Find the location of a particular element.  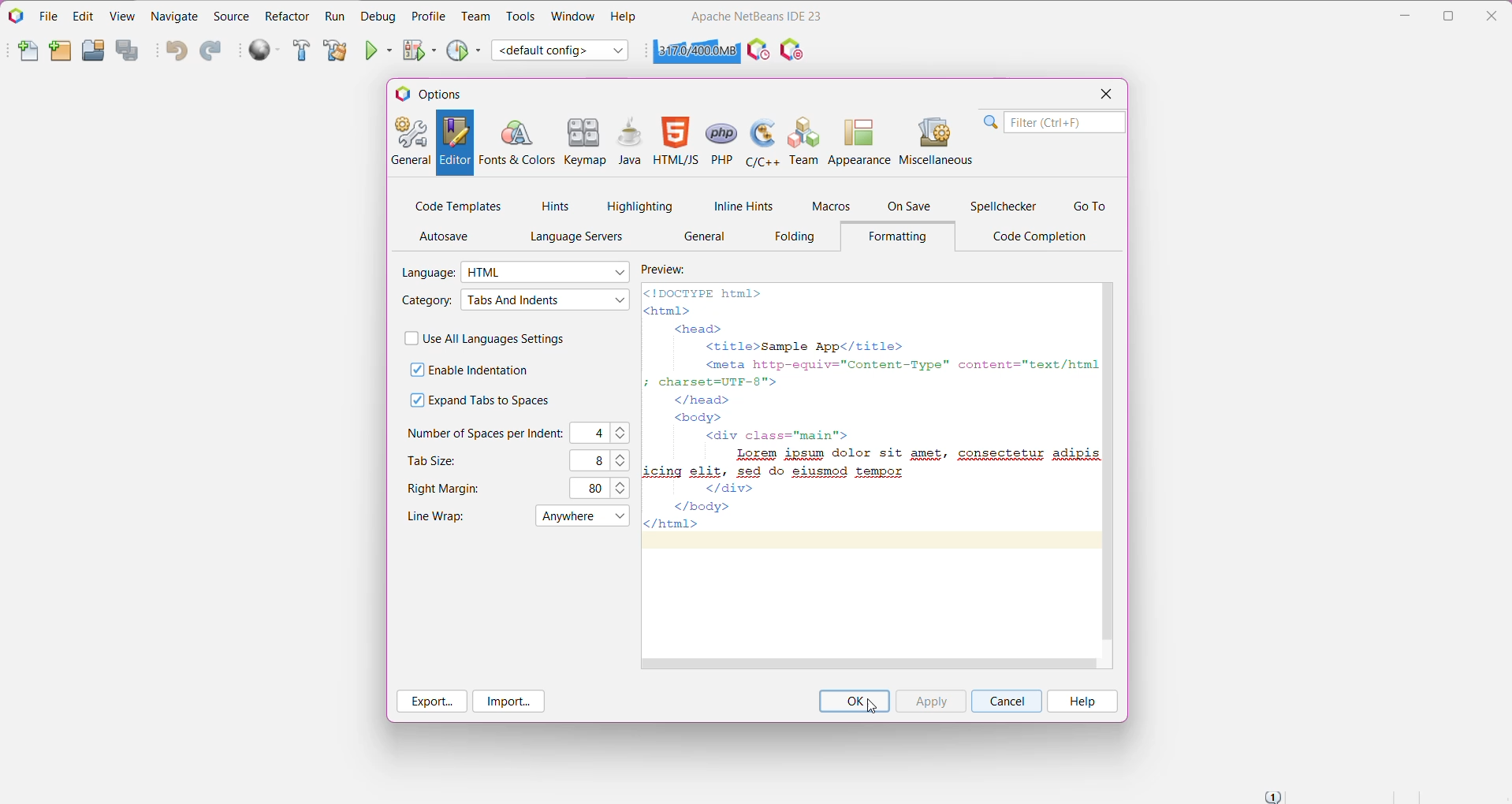

Import is located at coordinates (508, 702).